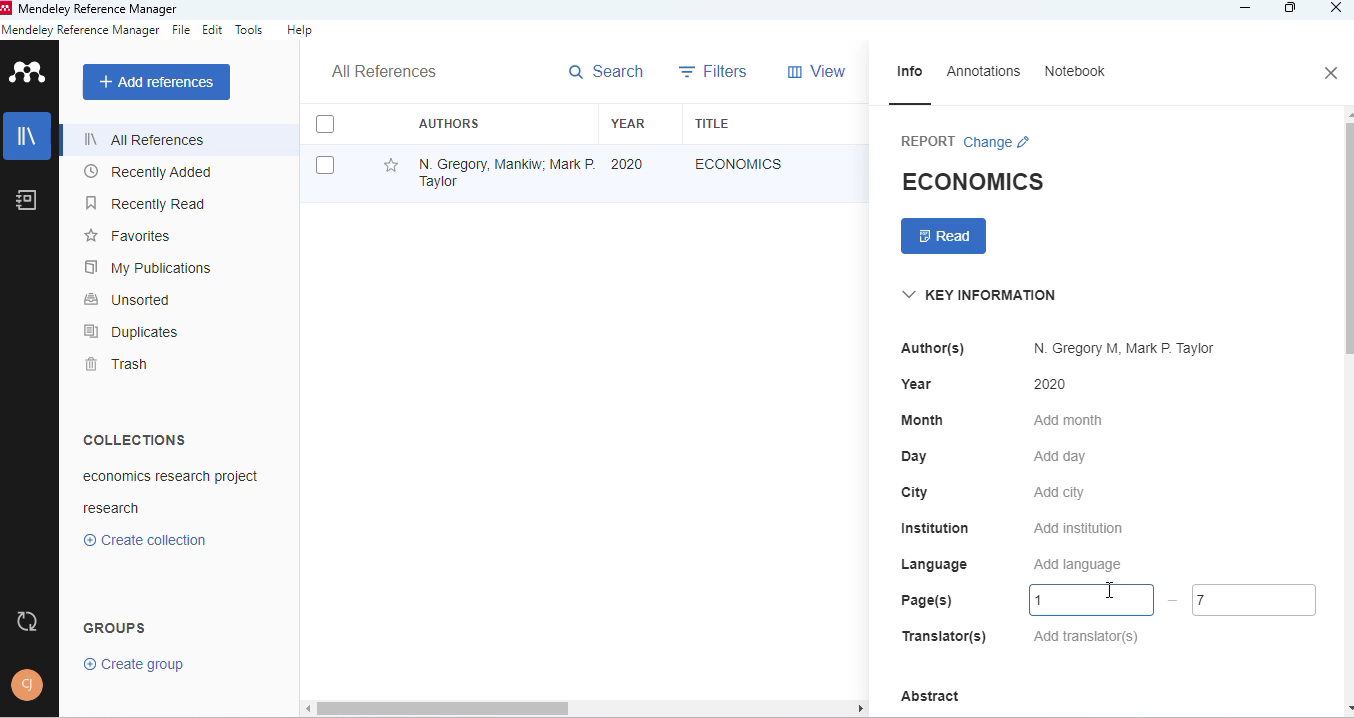 The height and width of the screenshot is (718, 1354). Describe the element at coordinates (127, 300) in the screenshot. I see `unsorted` at that location.